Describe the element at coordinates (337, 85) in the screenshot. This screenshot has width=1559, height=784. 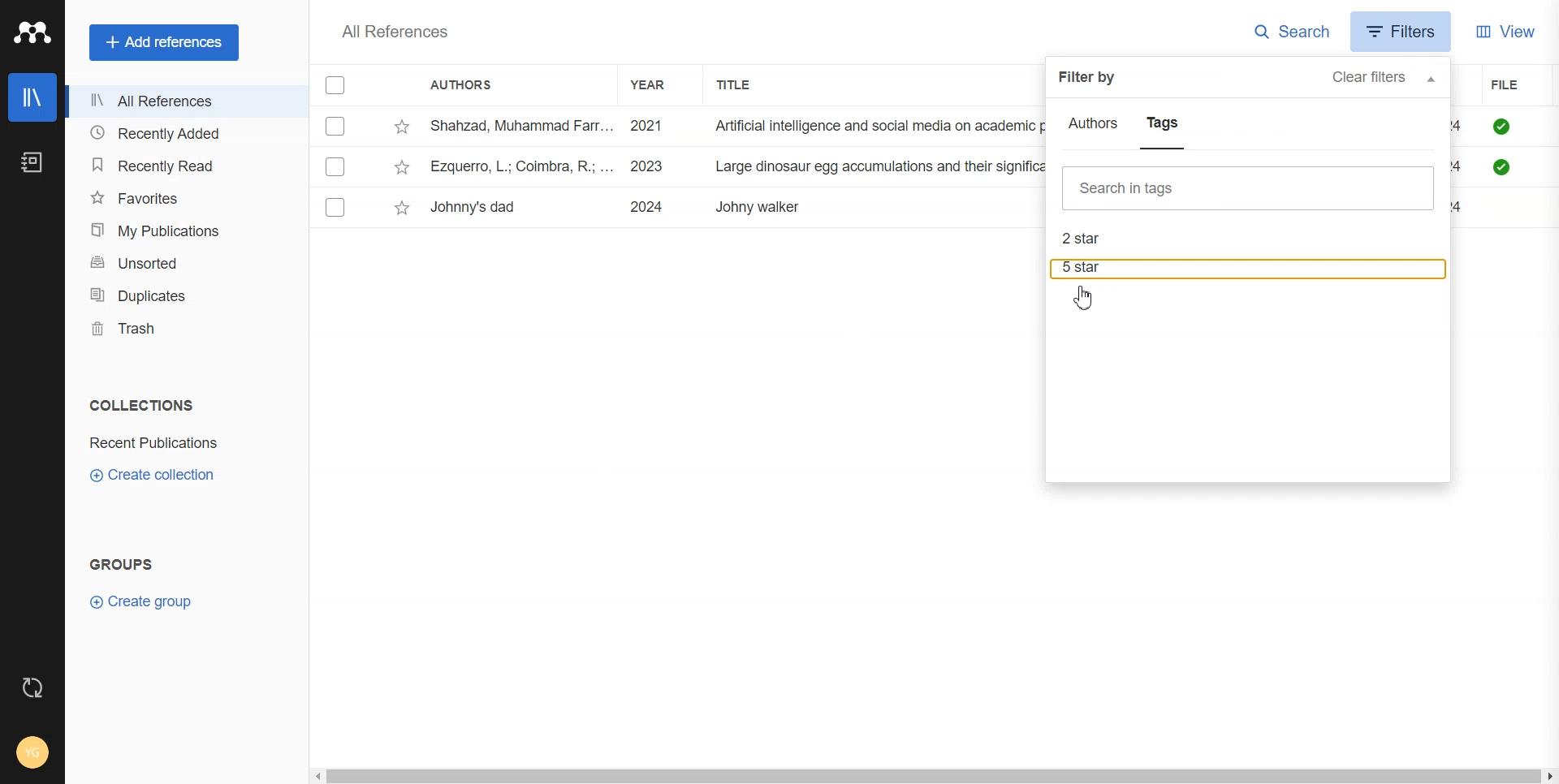
I see `Checklist` at that location.